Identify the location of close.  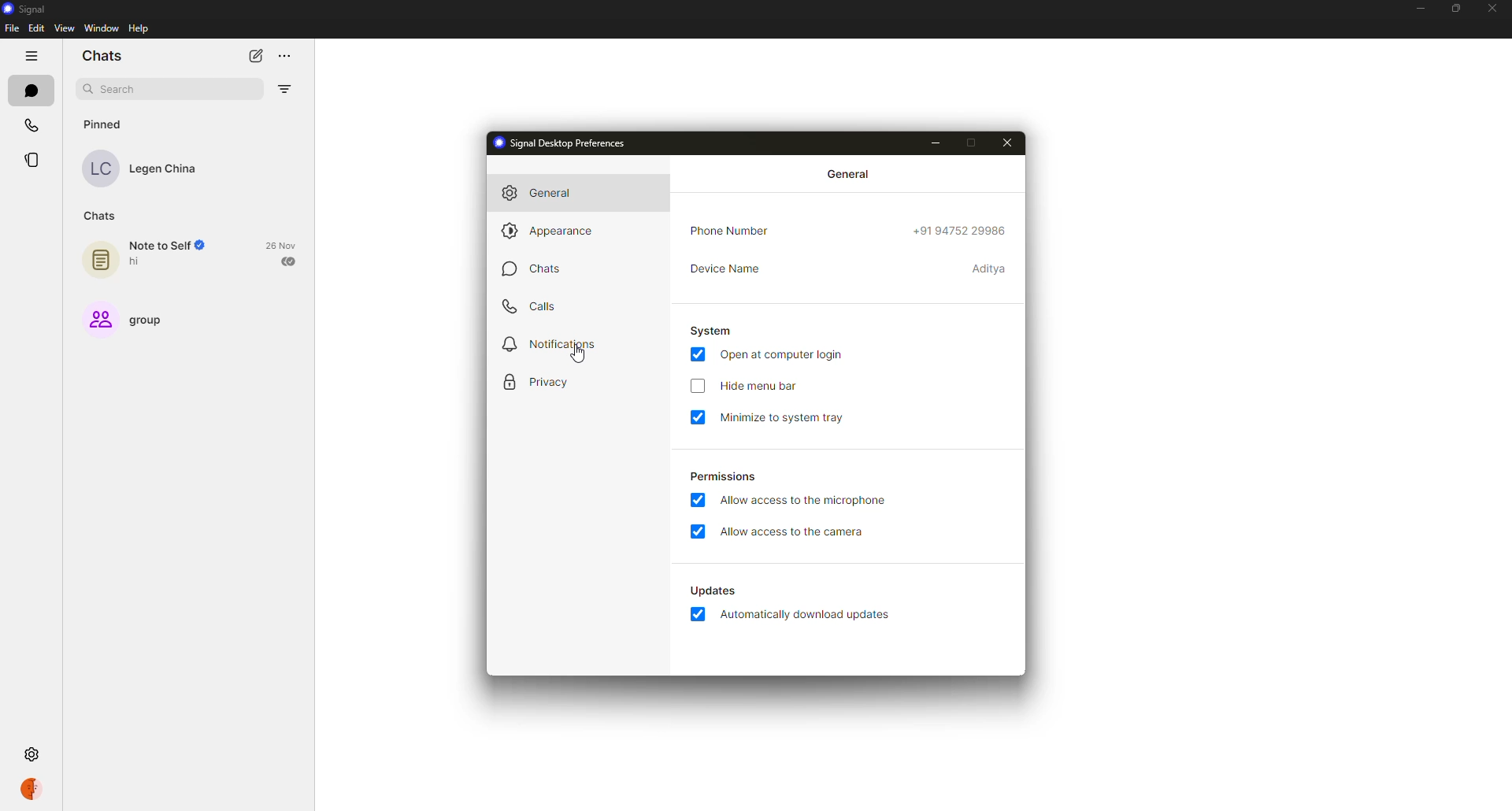
(1008, 141).